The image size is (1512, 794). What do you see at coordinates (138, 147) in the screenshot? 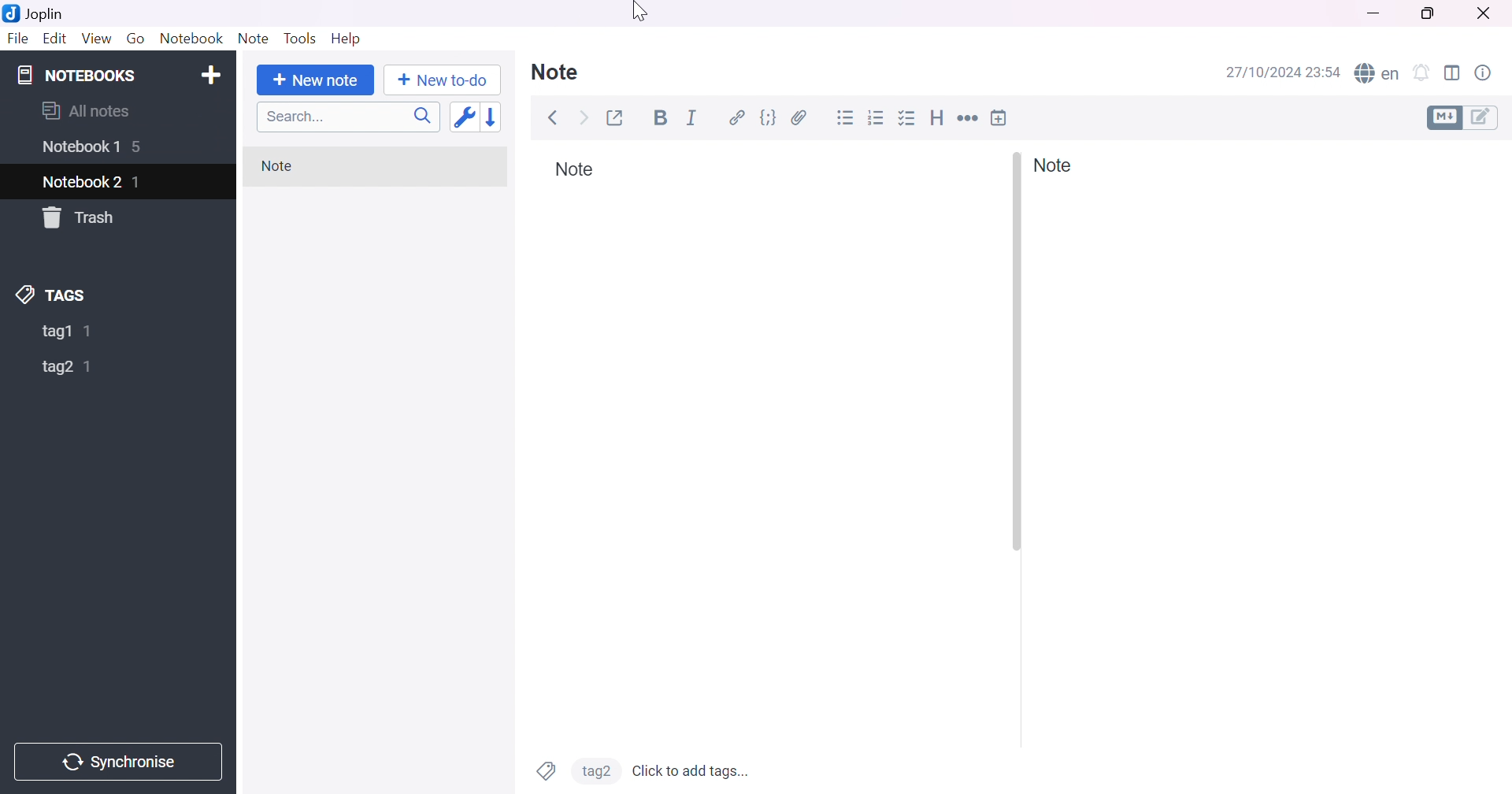
I see `5` at bounding box center [138, 147].